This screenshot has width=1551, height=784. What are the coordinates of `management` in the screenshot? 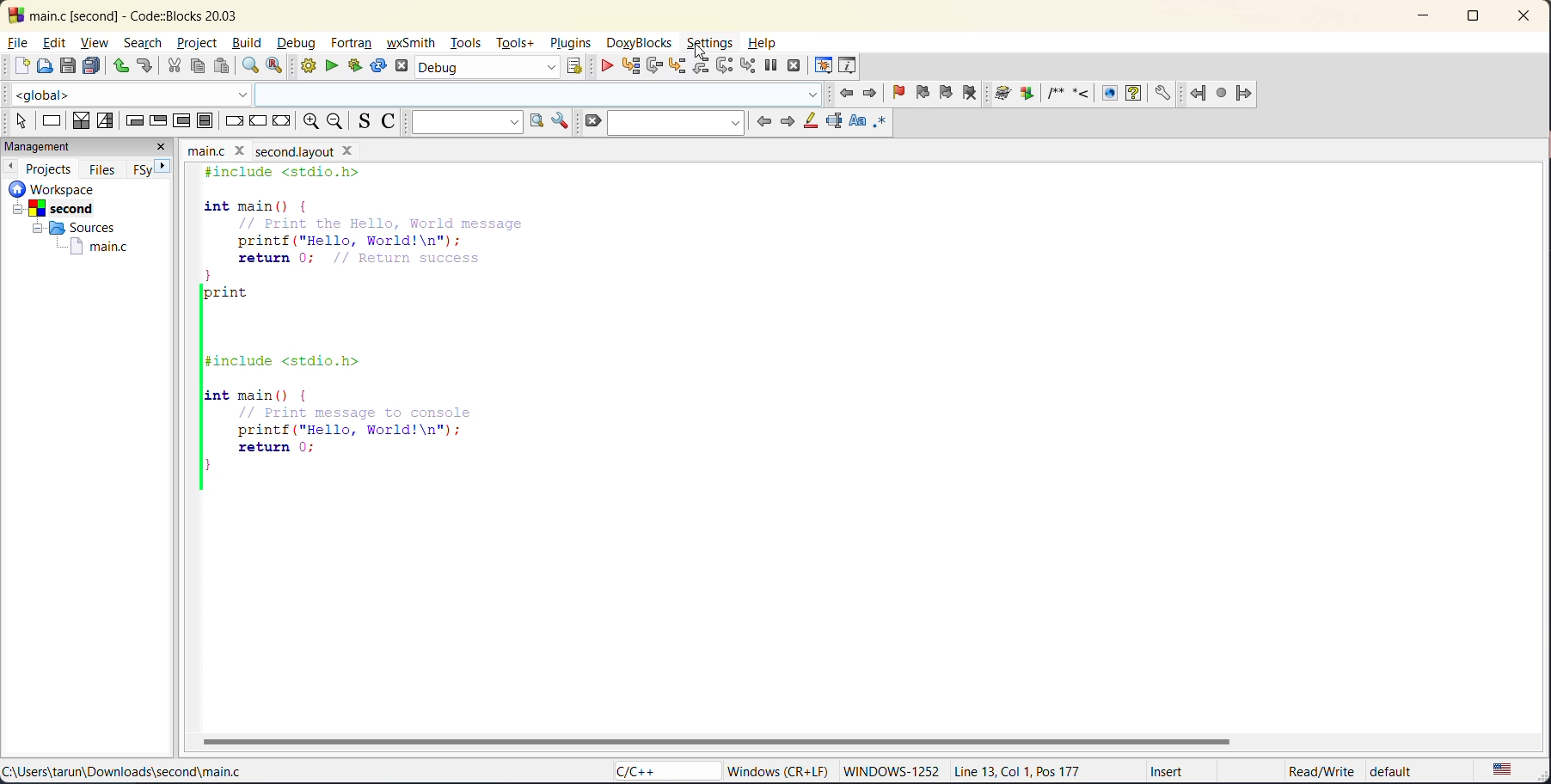 It's located at (70, 147).